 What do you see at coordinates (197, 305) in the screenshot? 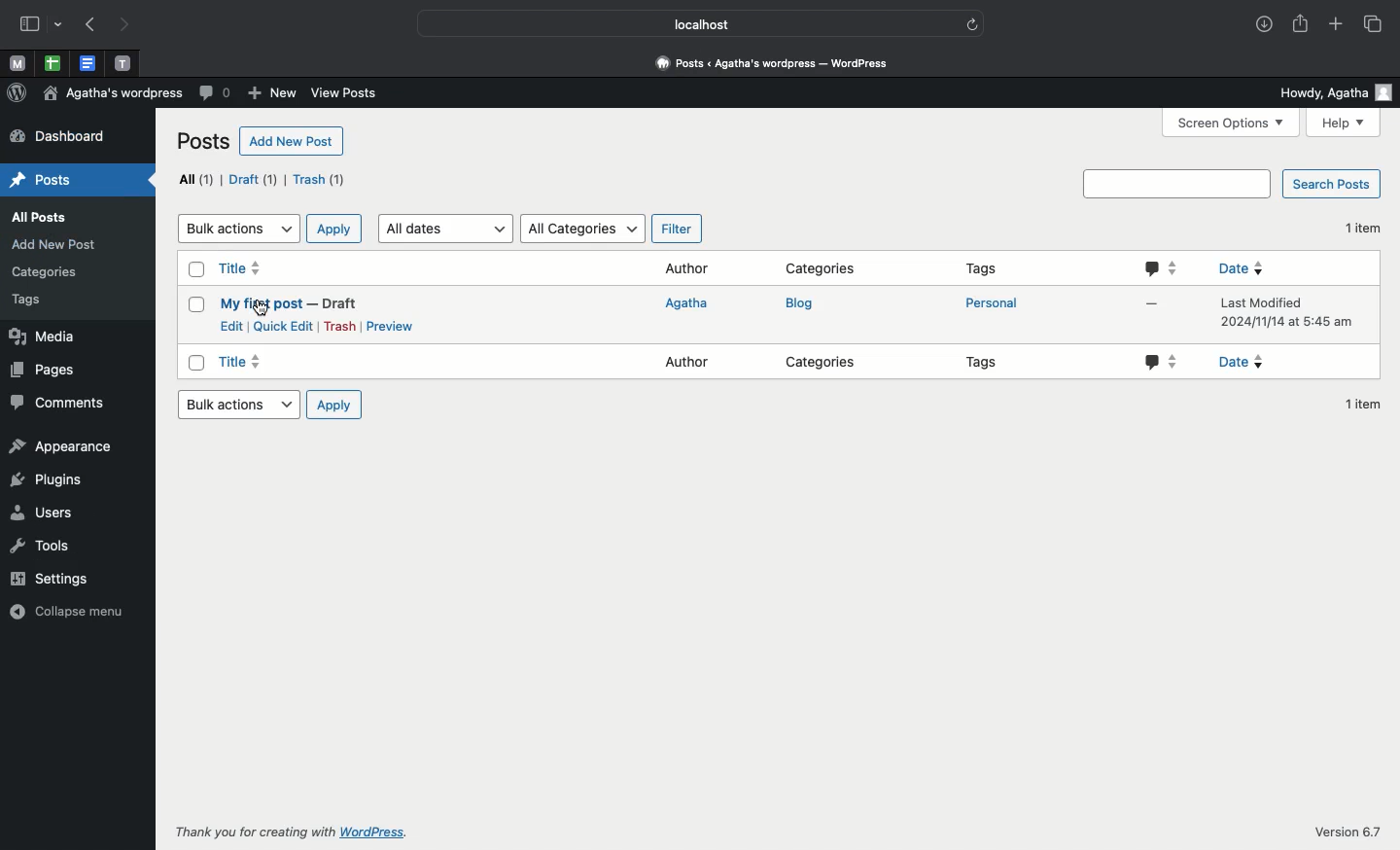
I see `checkbox` at bounding box center [197, 305].